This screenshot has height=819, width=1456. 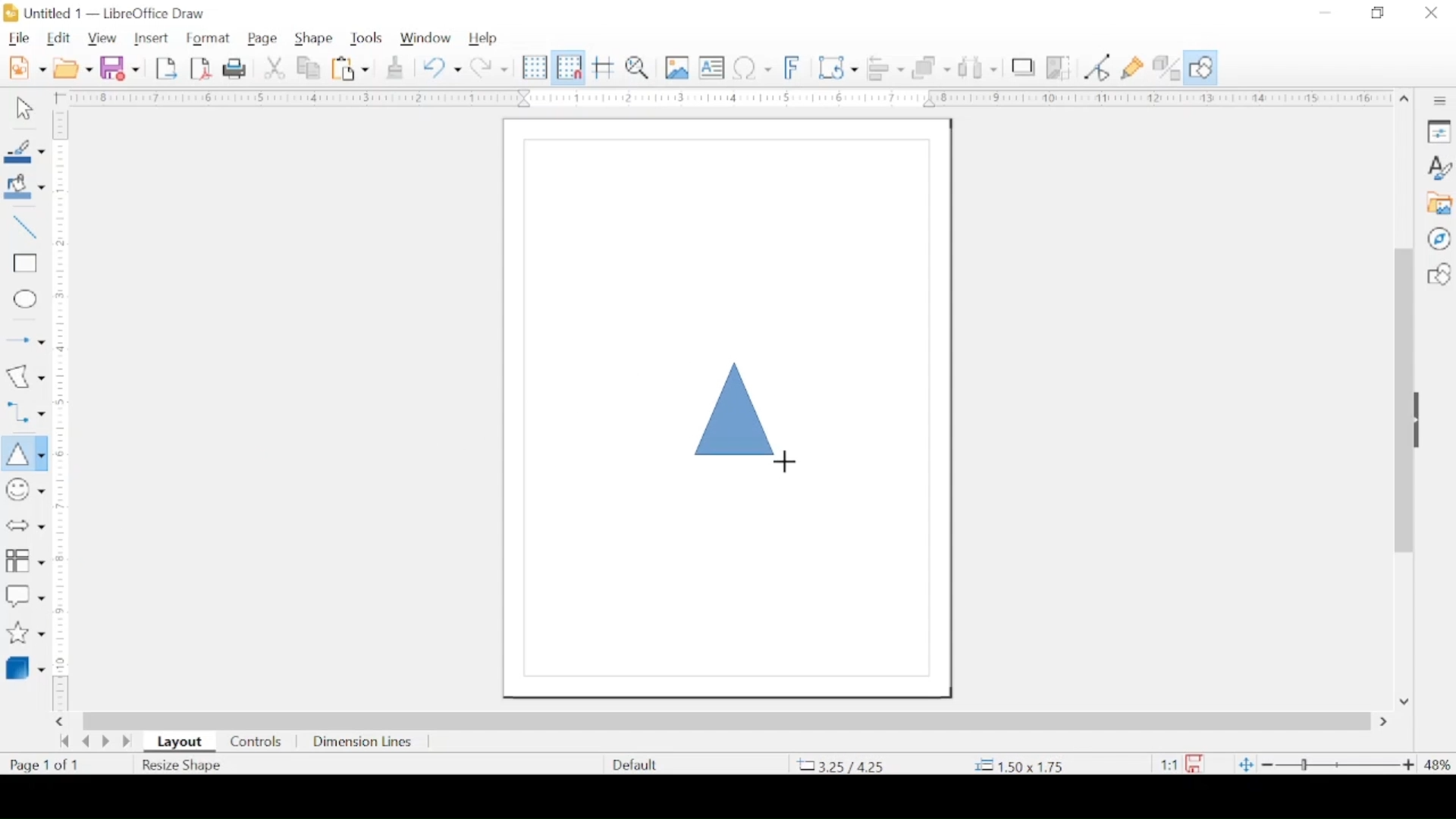 I want to click on insert ellipse, so click(x=24, y=300).